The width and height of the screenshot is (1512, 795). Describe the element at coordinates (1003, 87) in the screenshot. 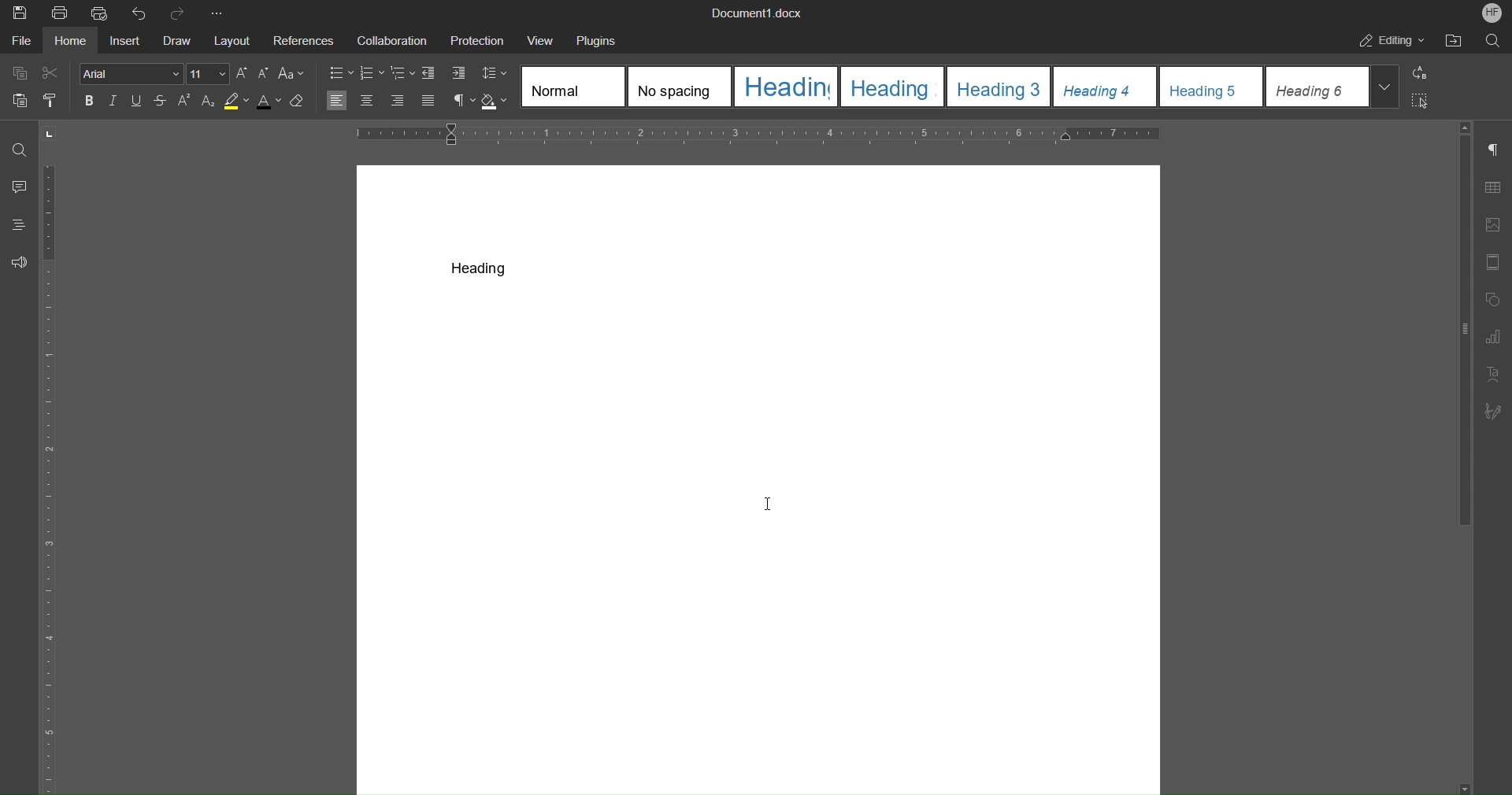

I see `Heading 3` at that location.